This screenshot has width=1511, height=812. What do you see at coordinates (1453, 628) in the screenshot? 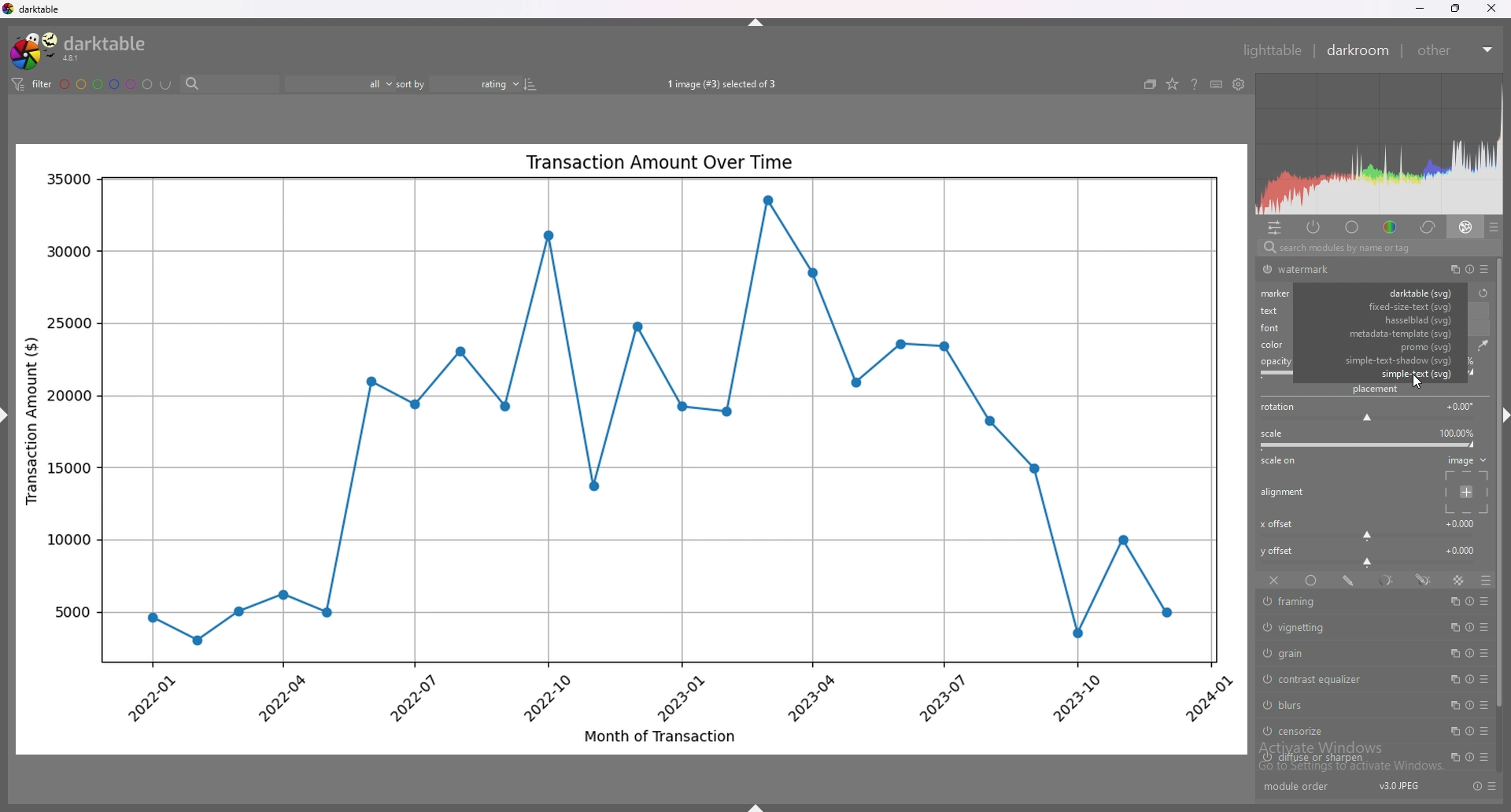
I see `multiple instances action` at bounding box center [1453, 628].